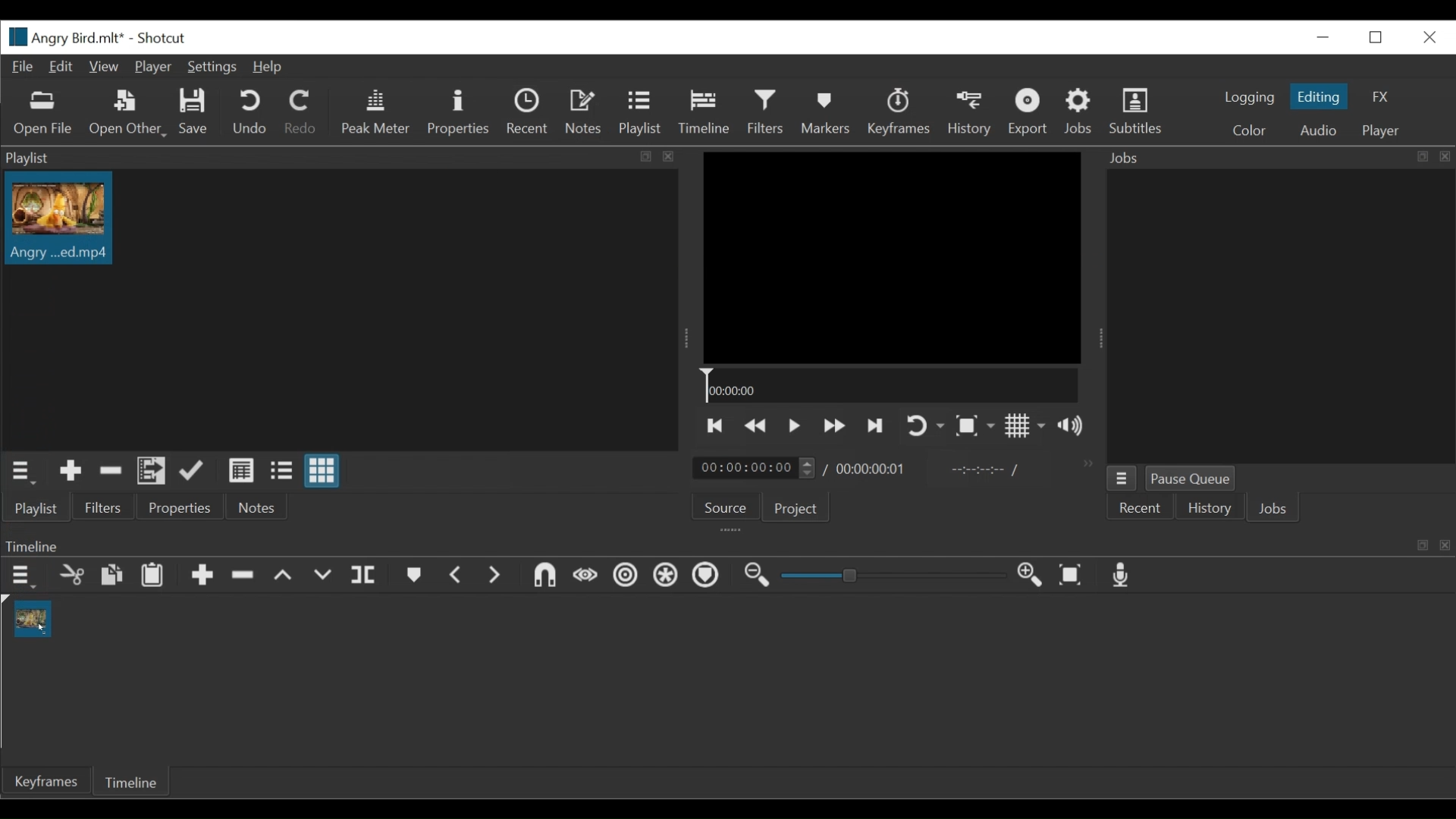 The height and width of the screenshot is (819, 1456). I want to click on Redo, so click(299, 111).